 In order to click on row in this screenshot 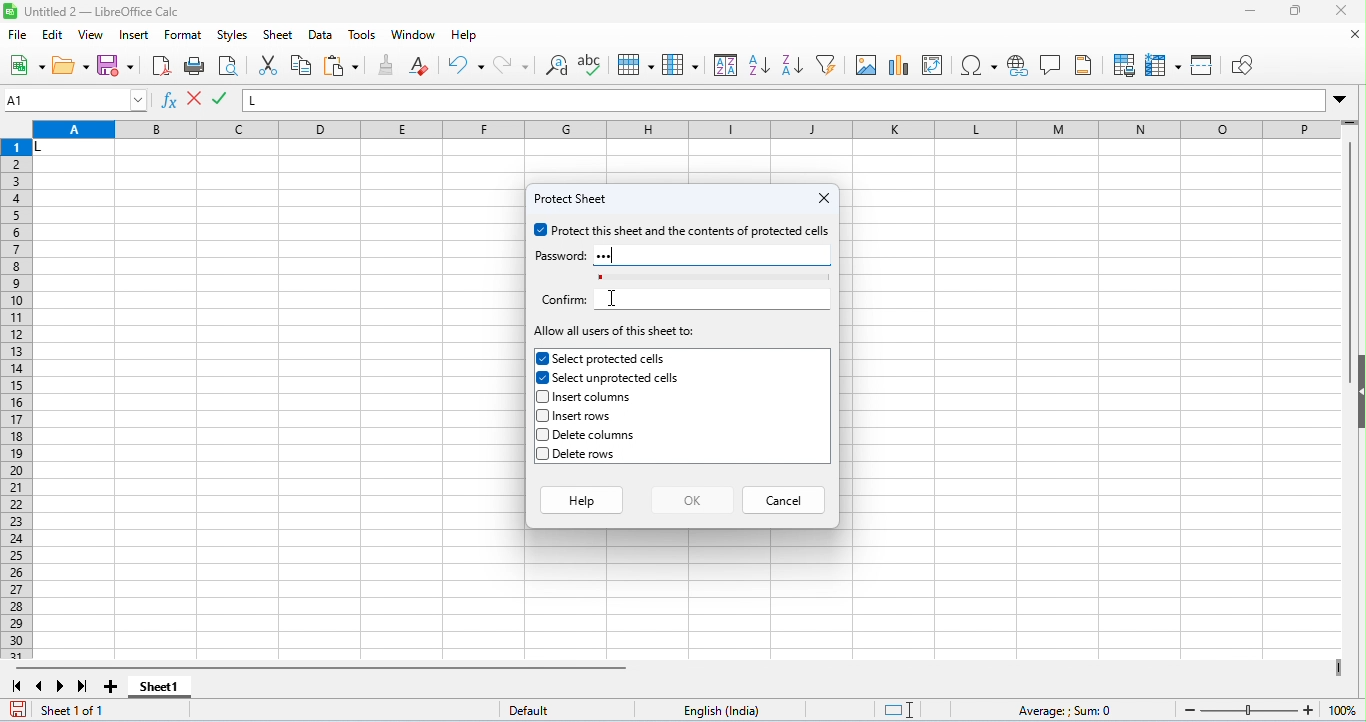, I will do `click(635, 65)`.